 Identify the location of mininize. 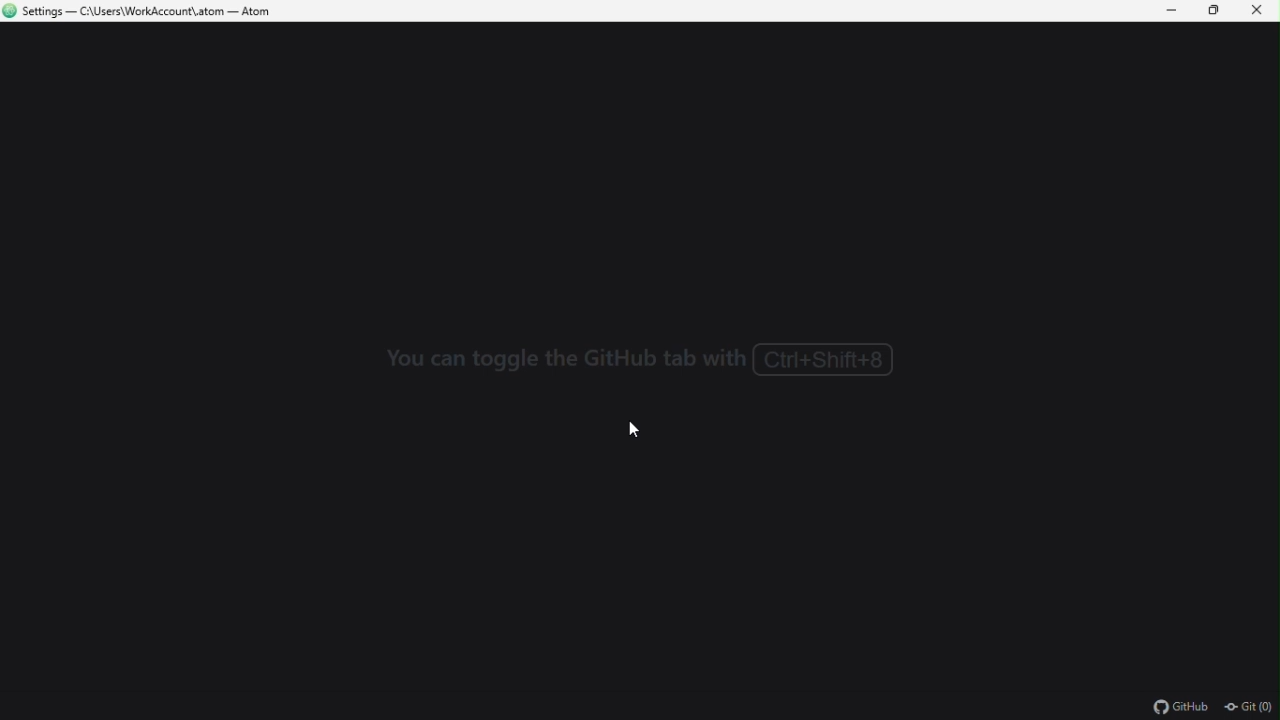
(1173, 10).